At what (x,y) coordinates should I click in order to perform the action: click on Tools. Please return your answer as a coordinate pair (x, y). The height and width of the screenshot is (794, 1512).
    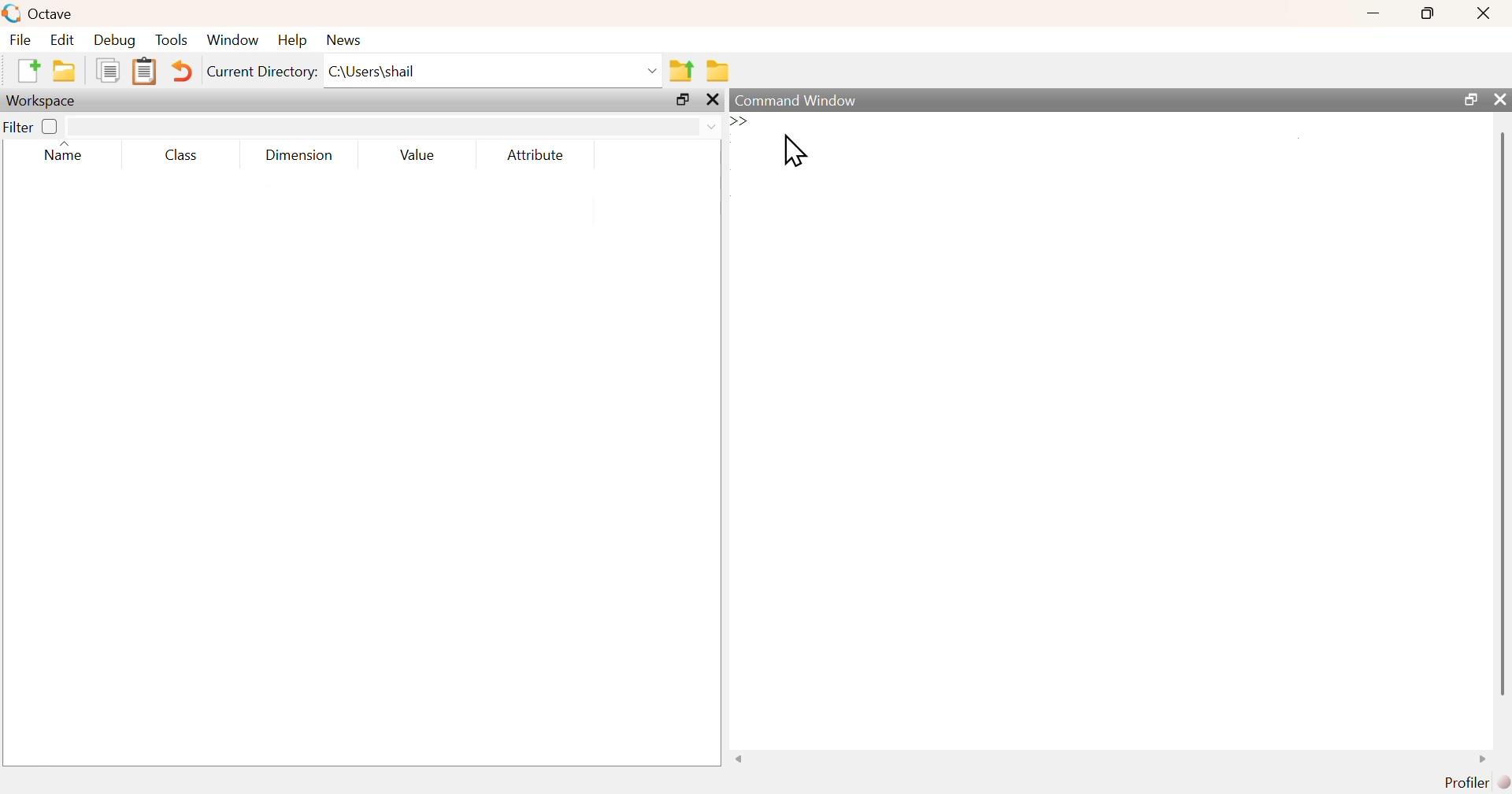
    Looking at the image, I should click on (172, 39).